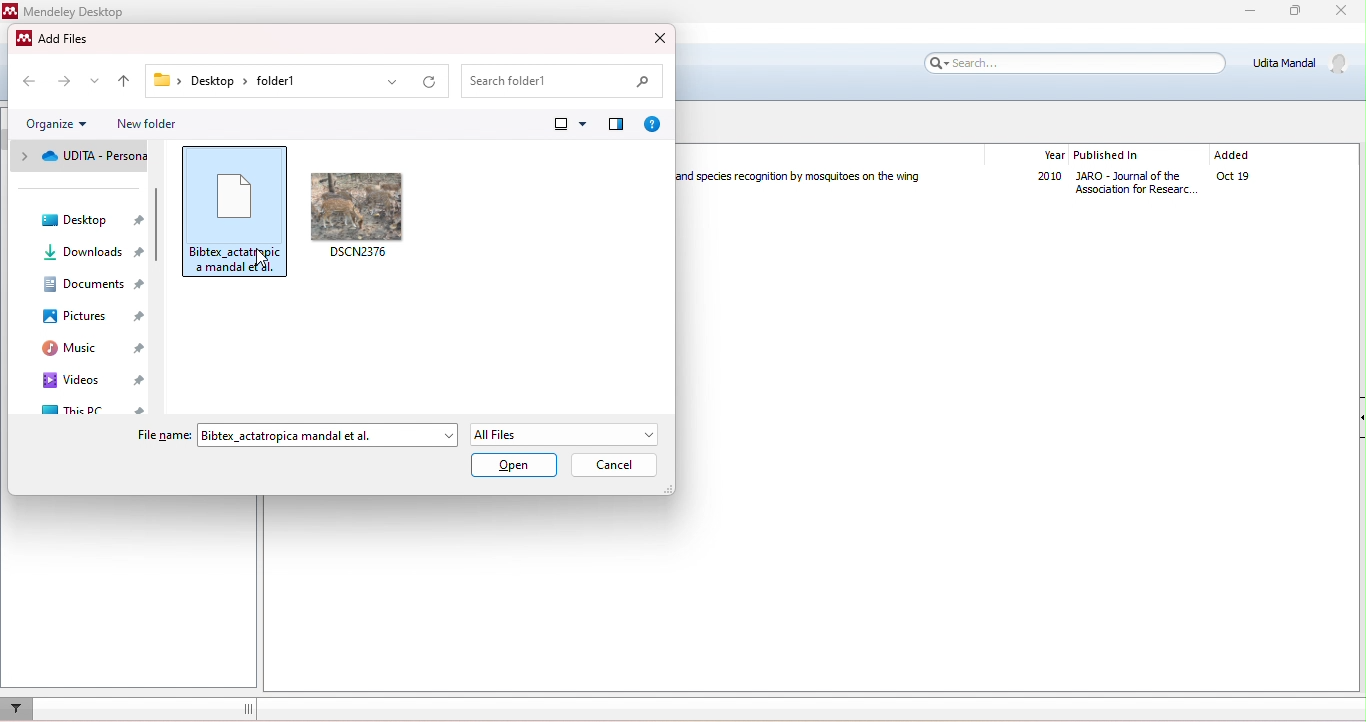 The height and width of the screenshot is (722, 1366). I want to click on change view, so click(570, 124).